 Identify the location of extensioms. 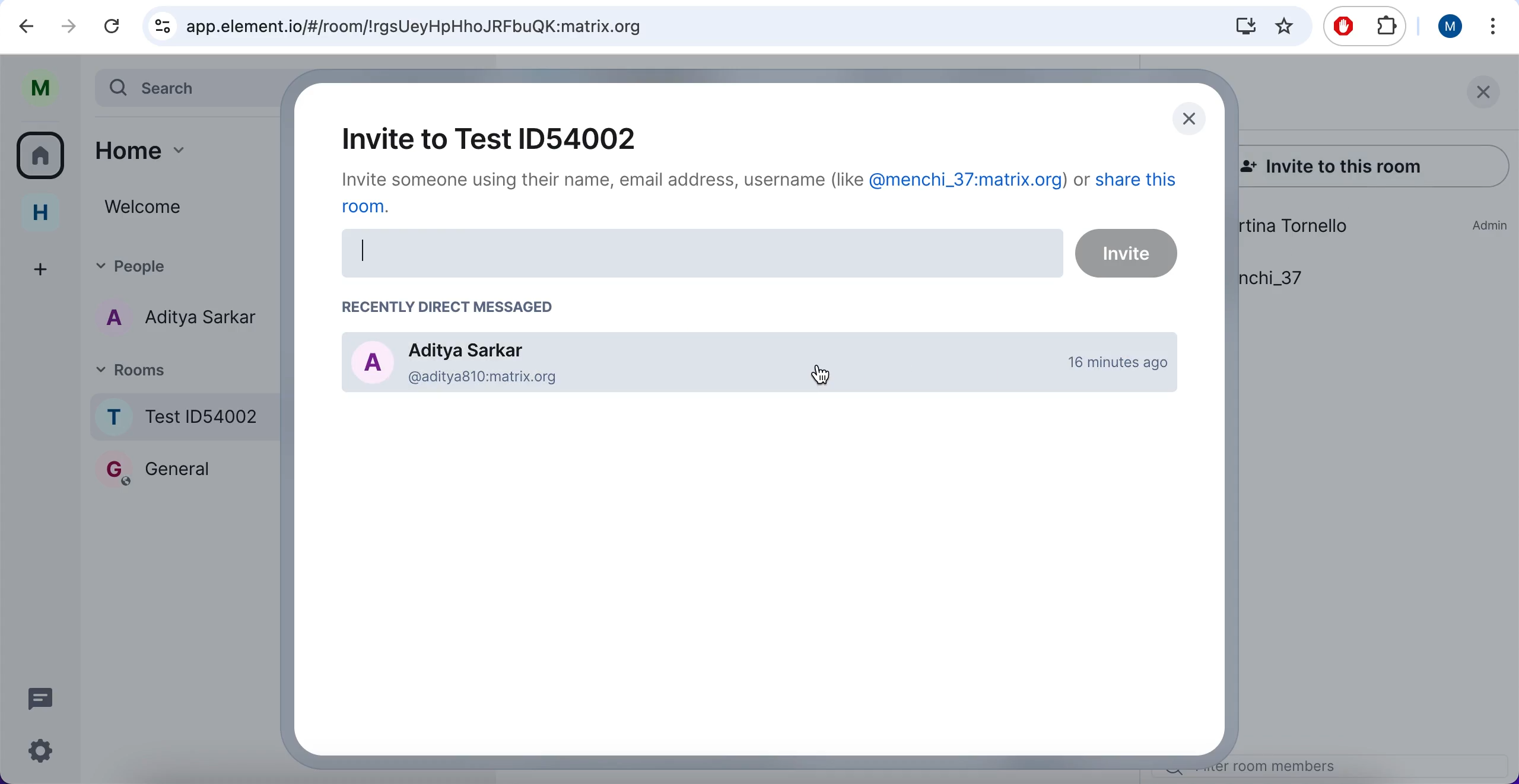
(1385, 29).